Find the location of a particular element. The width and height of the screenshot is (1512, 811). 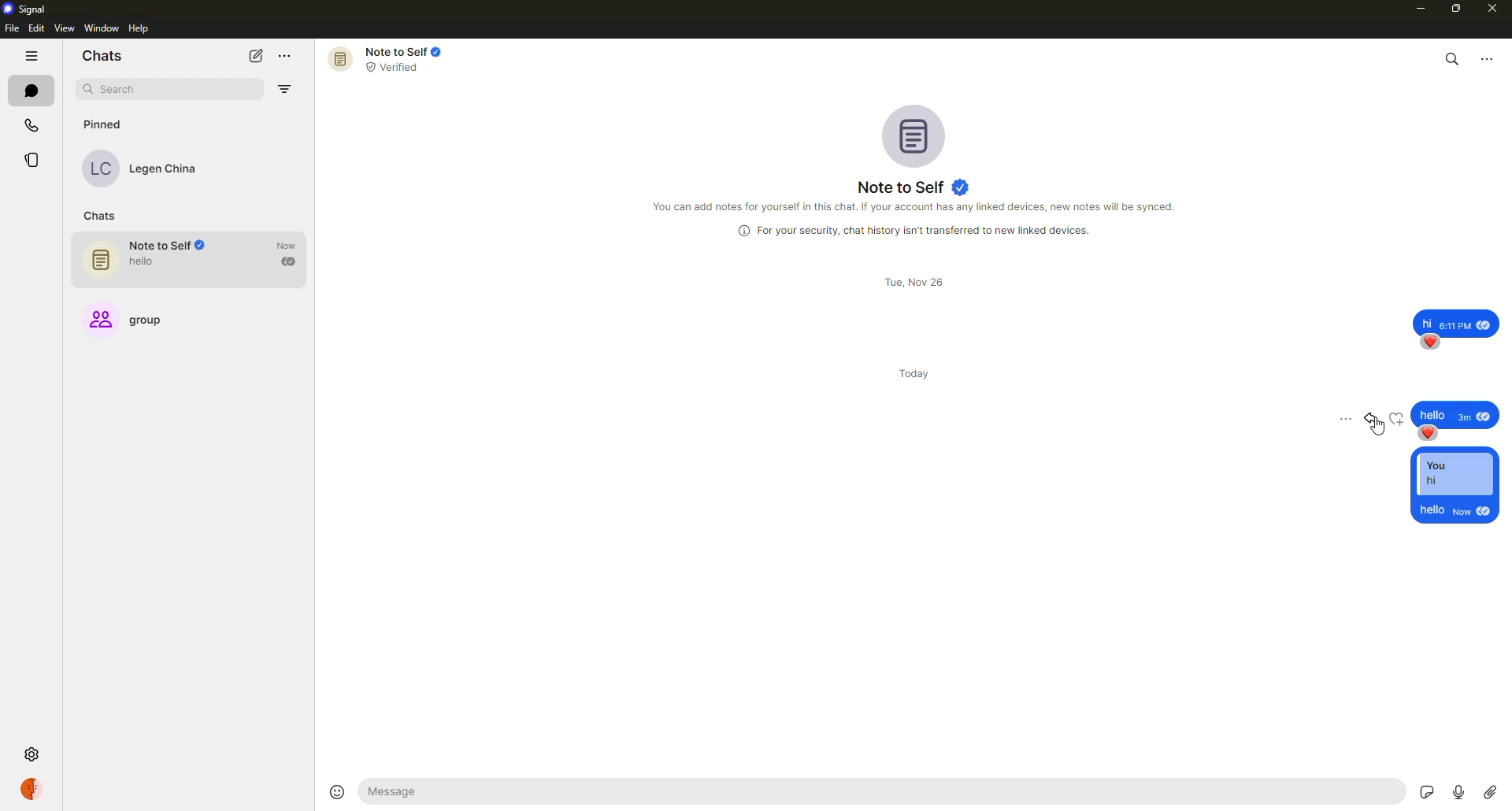

profile is located at coordinates (38, 788).